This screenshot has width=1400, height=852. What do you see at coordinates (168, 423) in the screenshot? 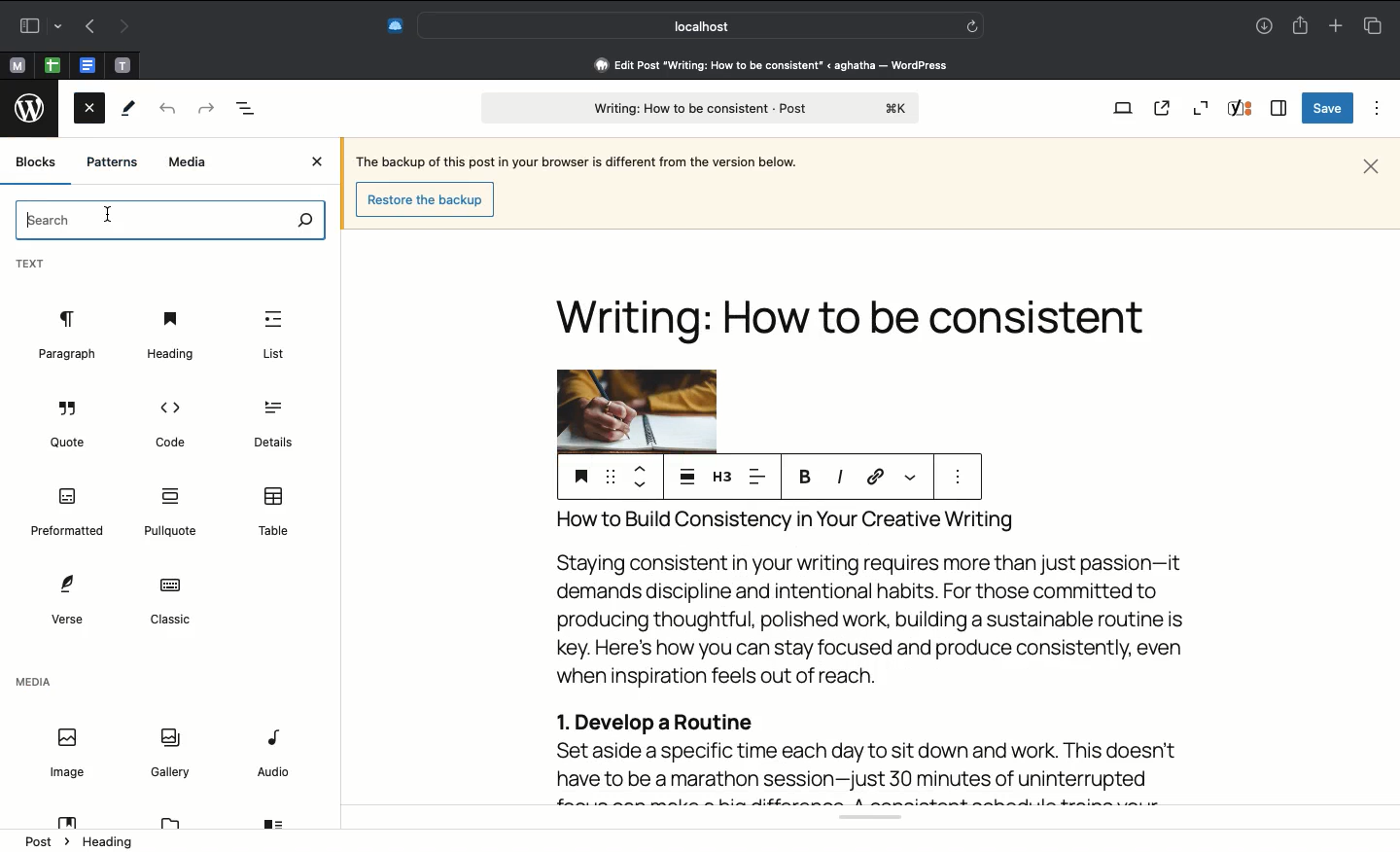
I see `Code` at bounding box center [168, 423].